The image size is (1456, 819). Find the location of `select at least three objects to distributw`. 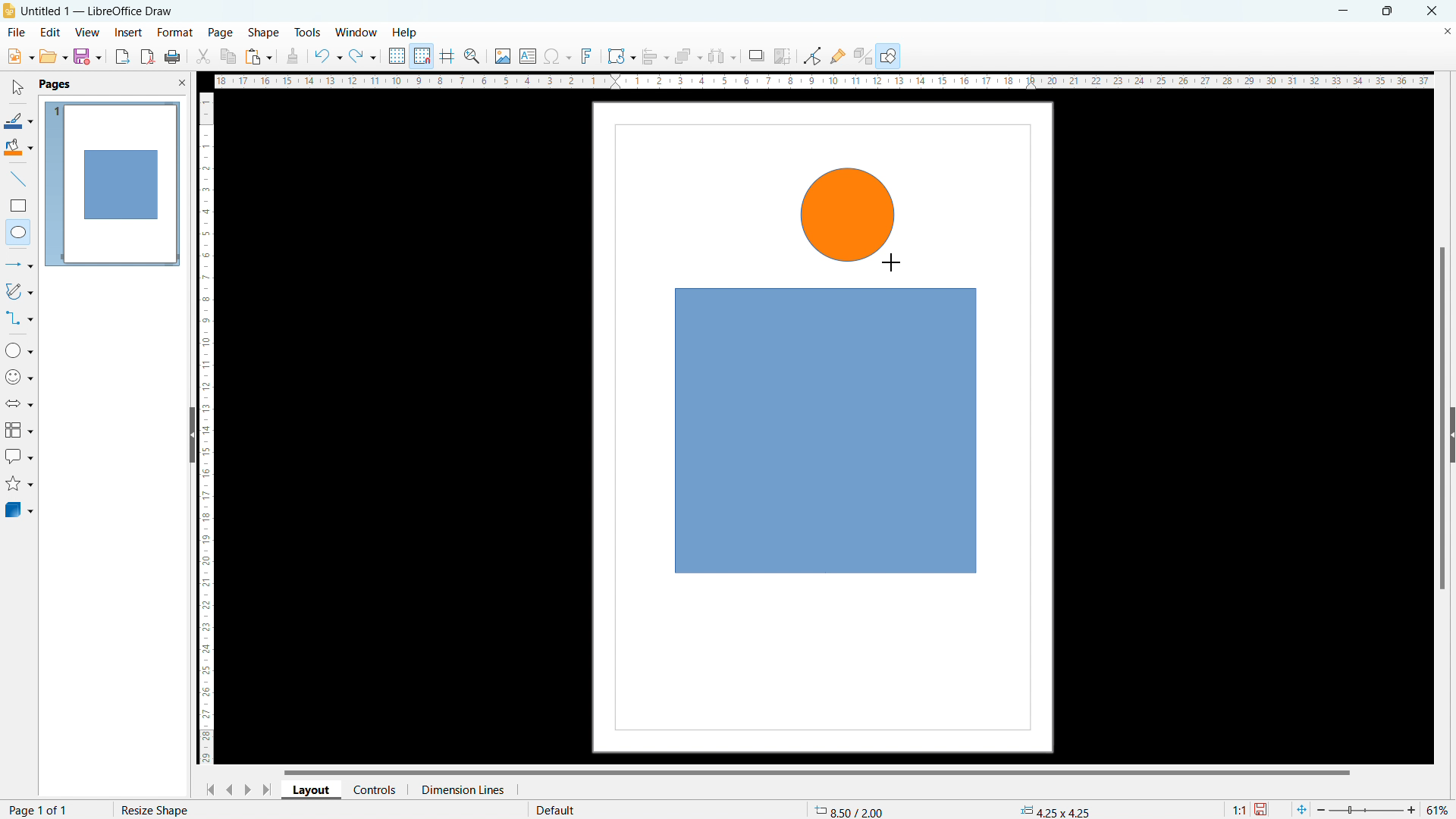

select at least three objects to distributw is located at coordinates (721, 57).